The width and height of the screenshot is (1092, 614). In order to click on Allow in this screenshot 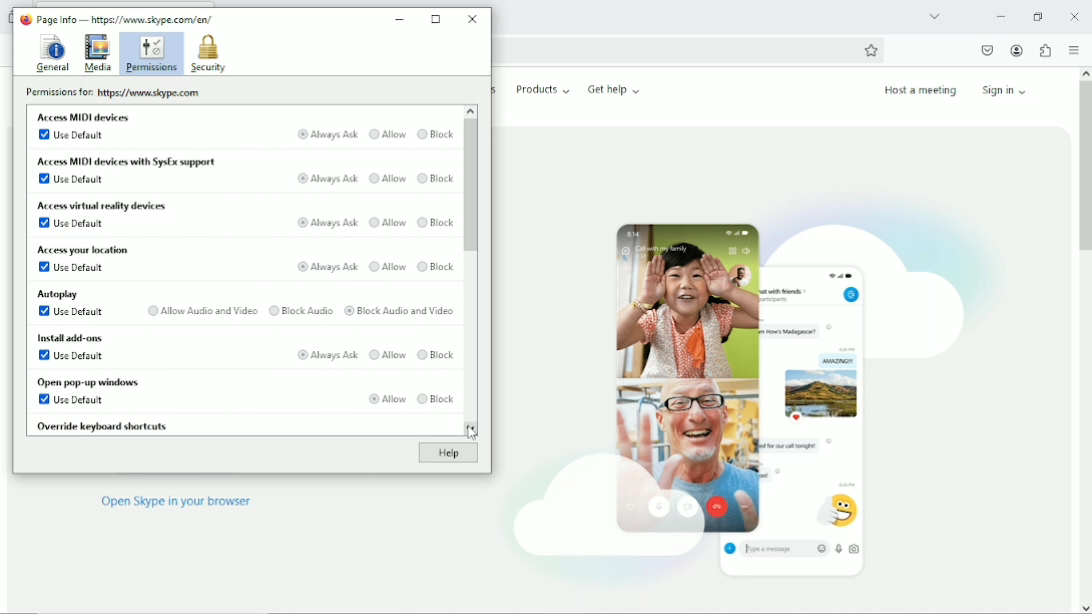, I will do `click(388, 134)`.